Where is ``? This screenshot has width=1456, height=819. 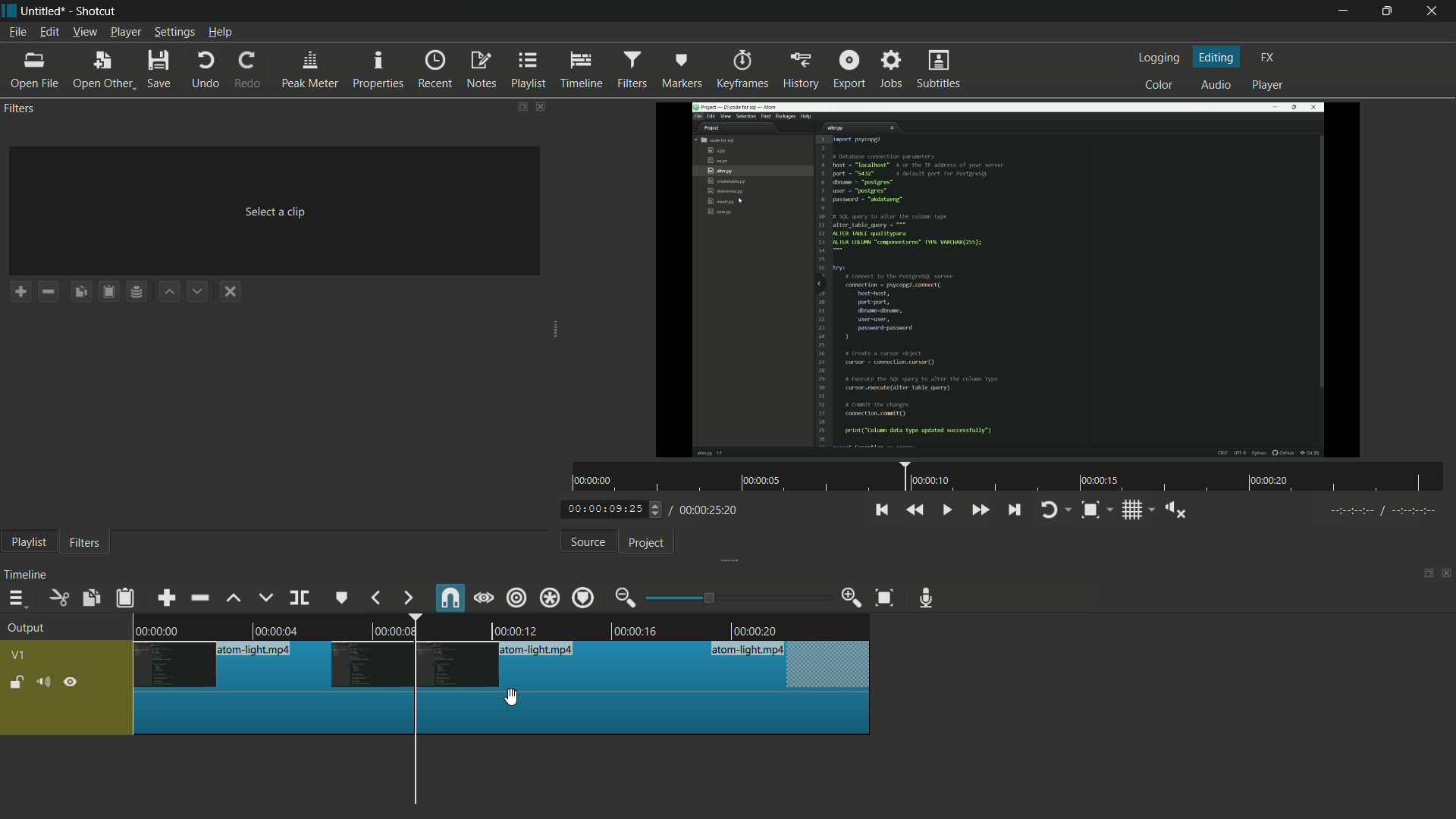  is located at coordinates (504, 715).